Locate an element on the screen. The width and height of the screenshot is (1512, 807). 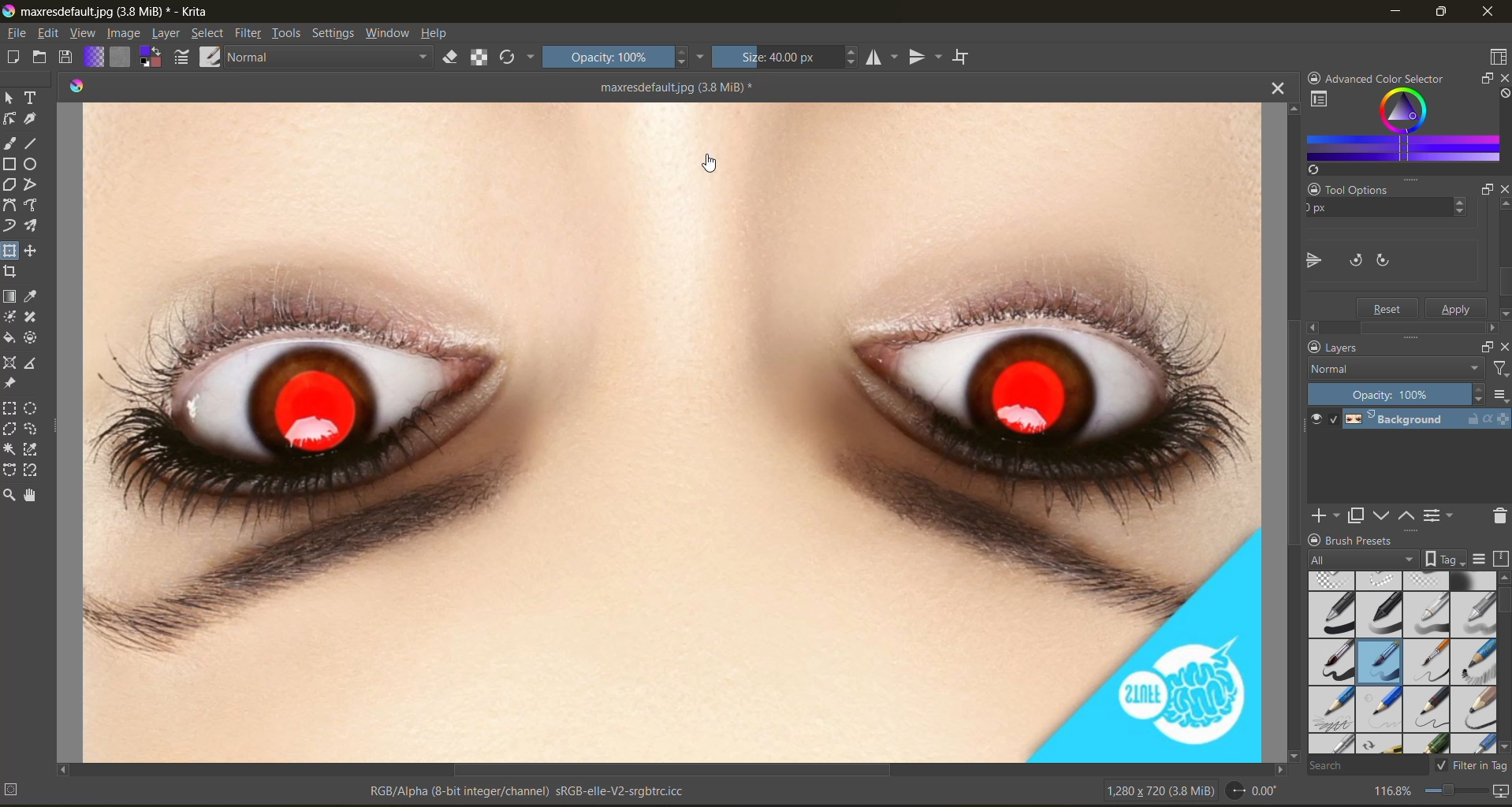
layer is located at coordinates (1429, 420).